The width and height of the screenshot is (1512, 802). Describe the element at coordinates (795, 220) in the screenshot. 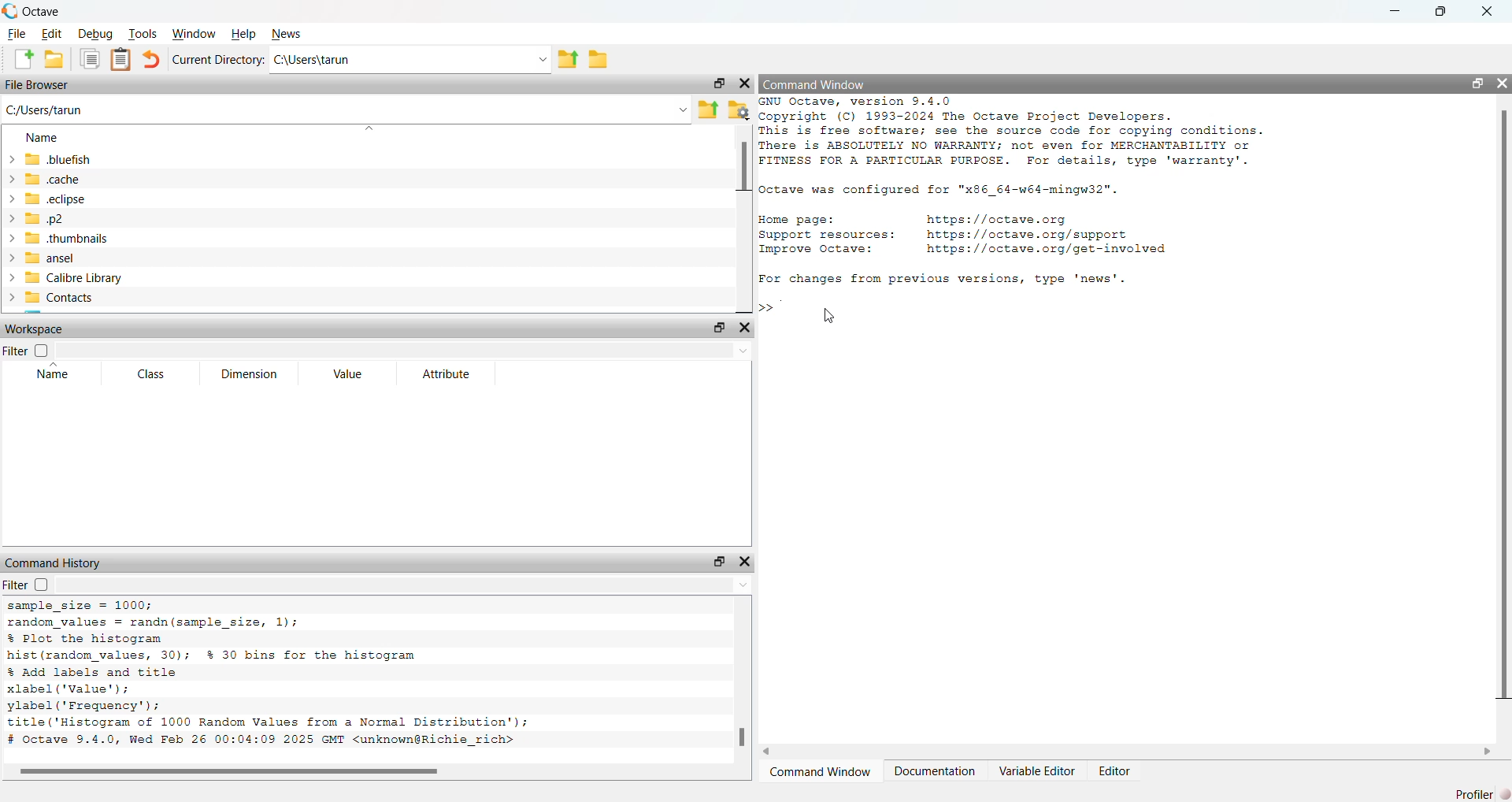

I see `Home page:` at that location.